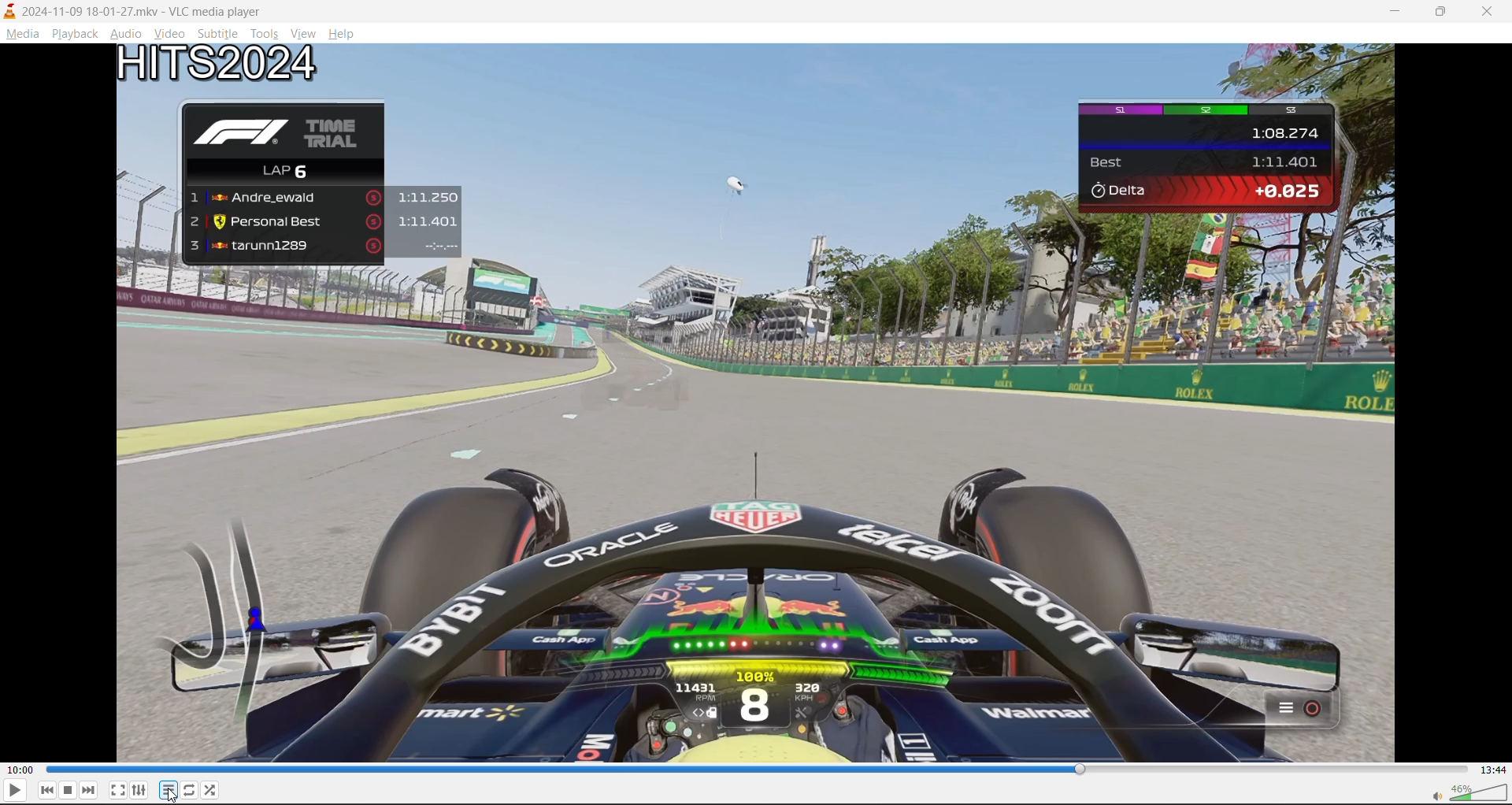 This screenshot has width=1512, height=805. I want to click on minimize, so click(1401, 14).